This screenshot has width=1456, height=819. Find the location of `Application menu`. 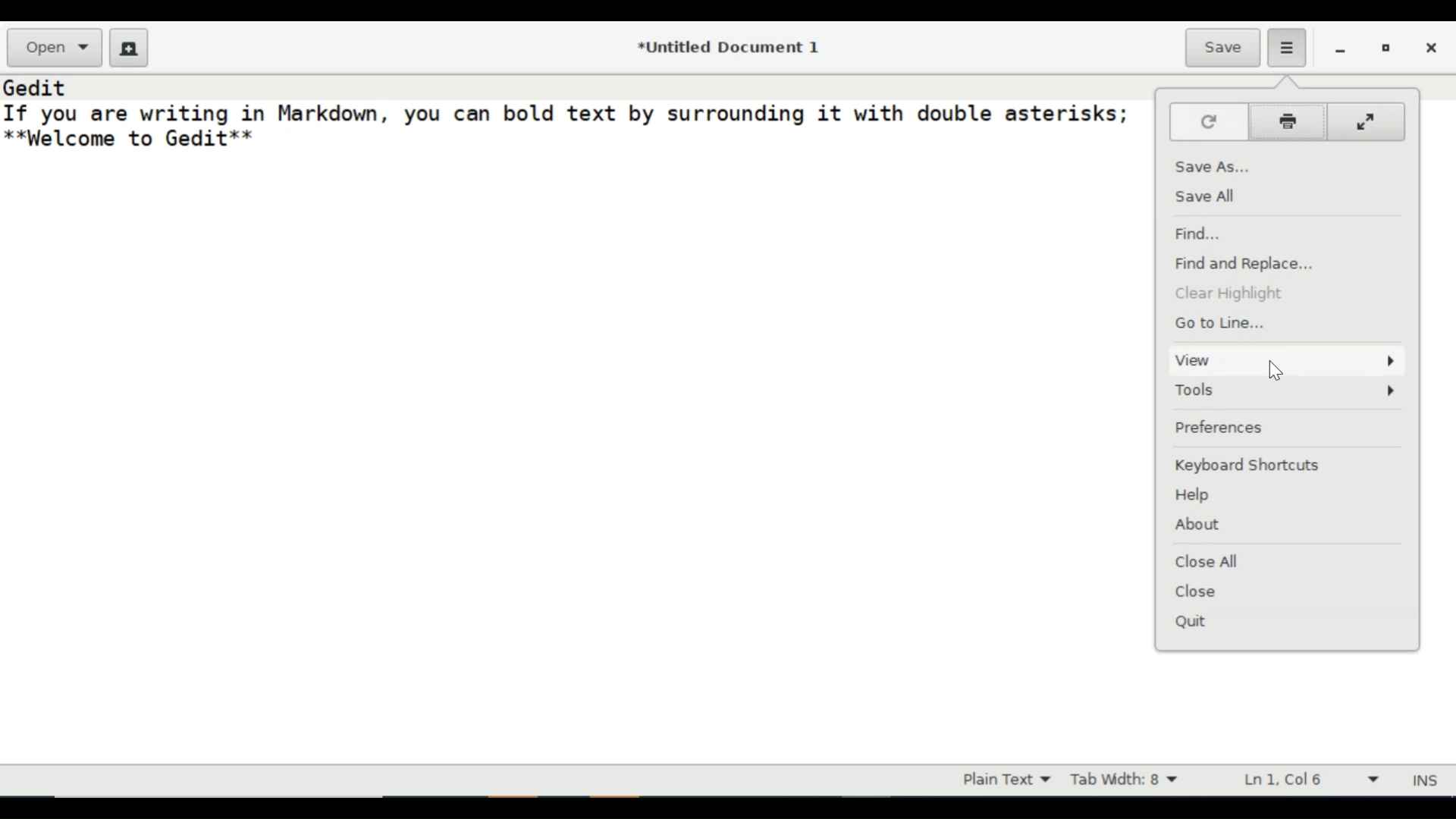

Application menu is located at coordinates (1285, 47).